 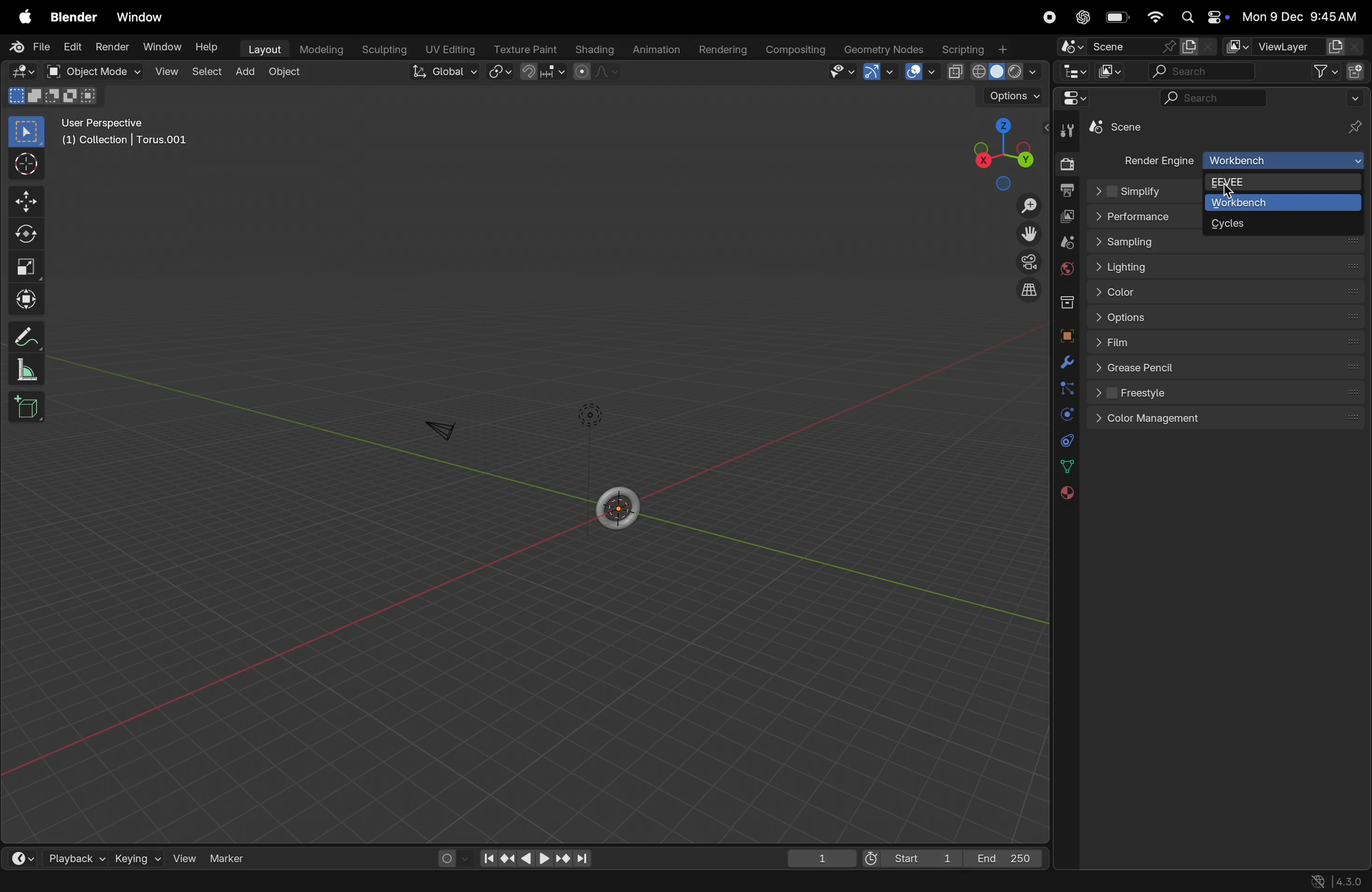 What do you see at coordinates (95, 72) in the screenshot?
I see `object mode` at bounding box center [95, 72].